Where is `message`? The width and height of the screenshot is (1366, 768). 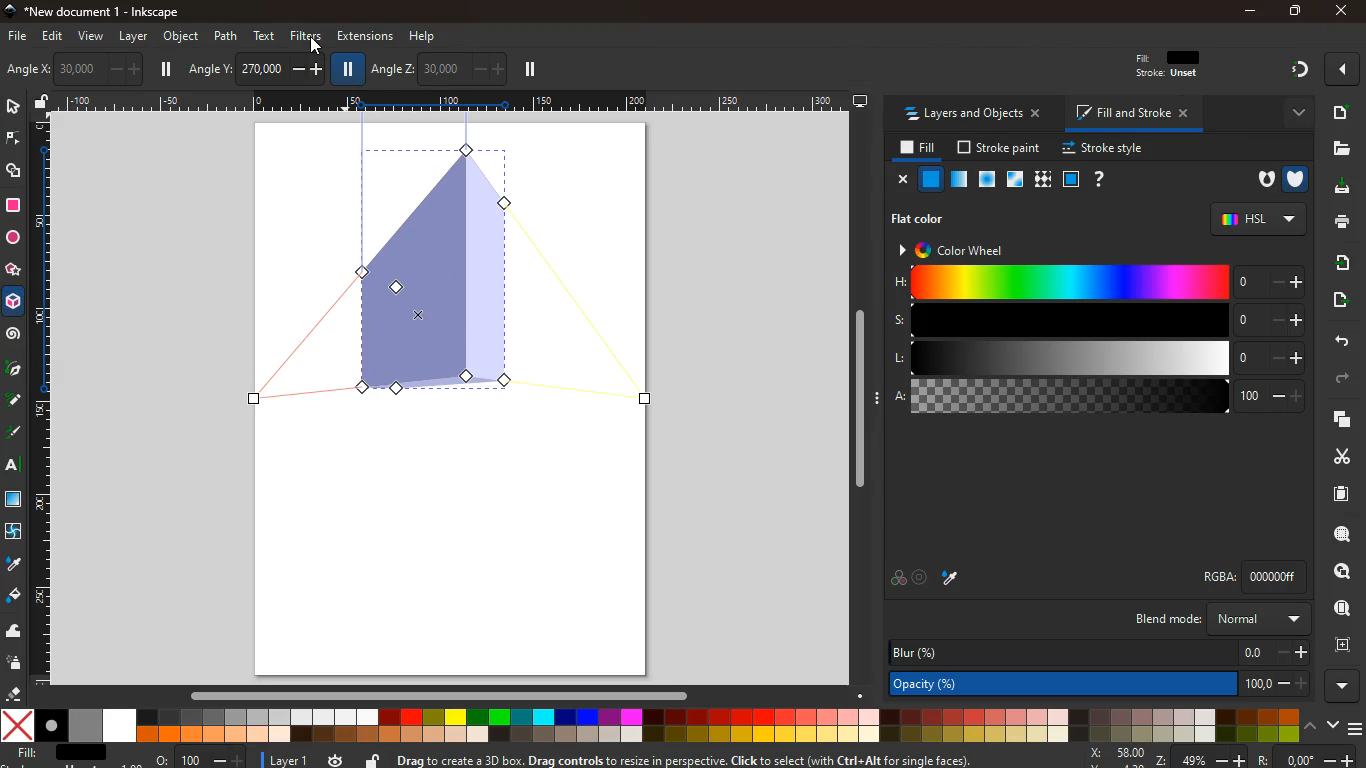 message is located at coordinates (705, 759).